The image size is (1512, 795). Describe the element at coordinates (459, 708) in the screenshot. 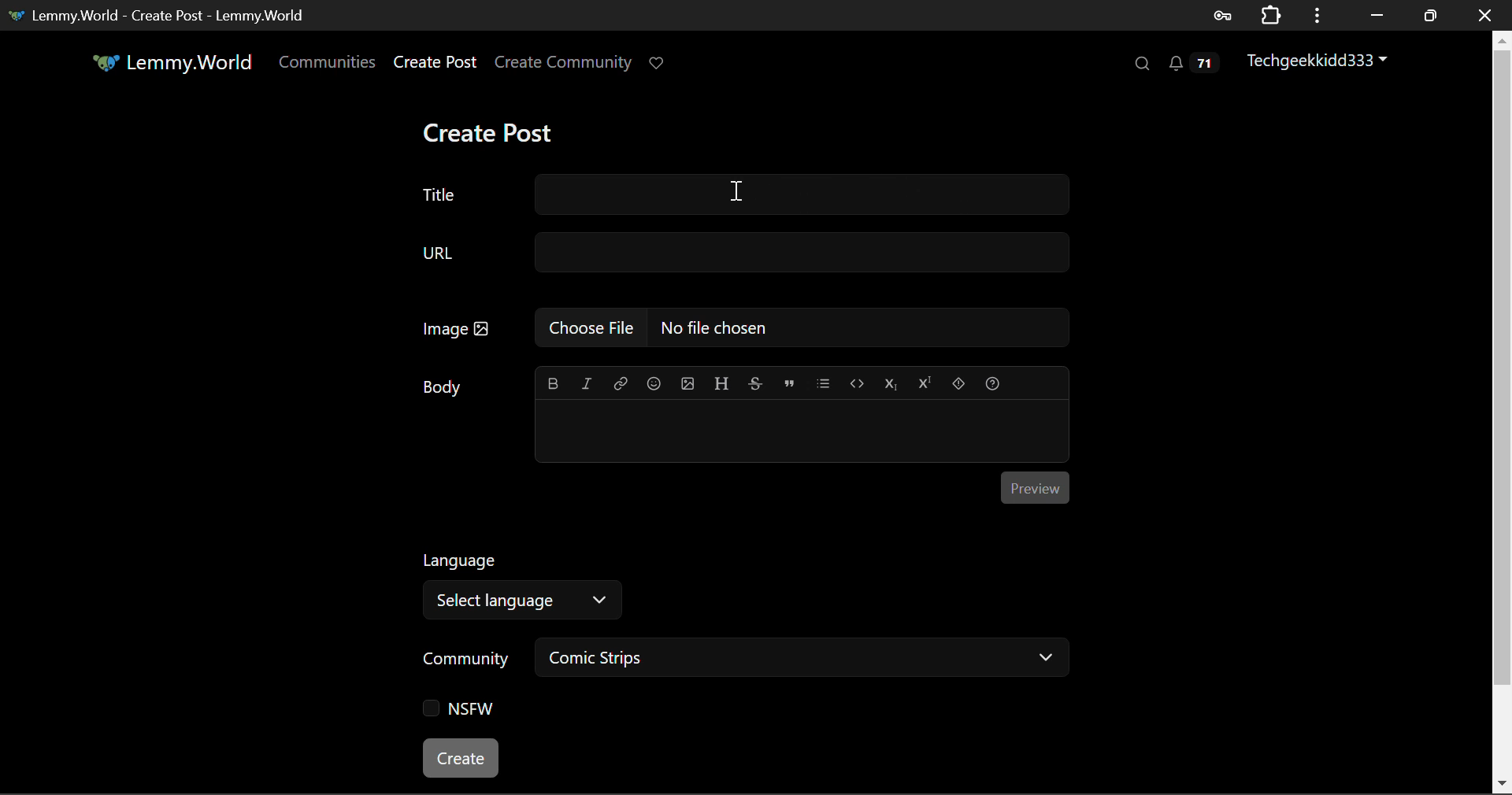

I see `NSFW` at that location.